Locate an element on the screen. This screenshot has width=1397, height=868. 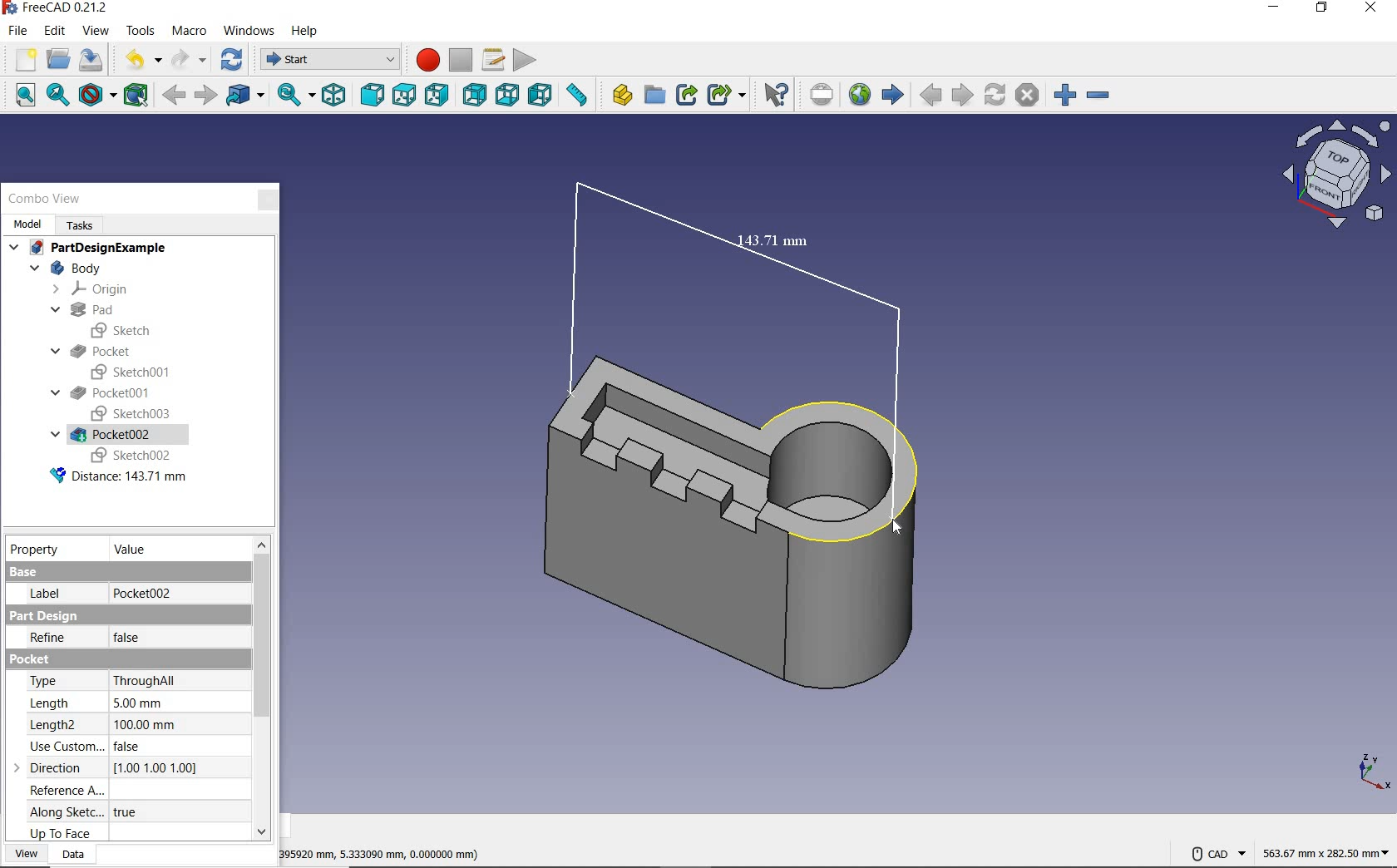
save is located at coordinates (93, 62).